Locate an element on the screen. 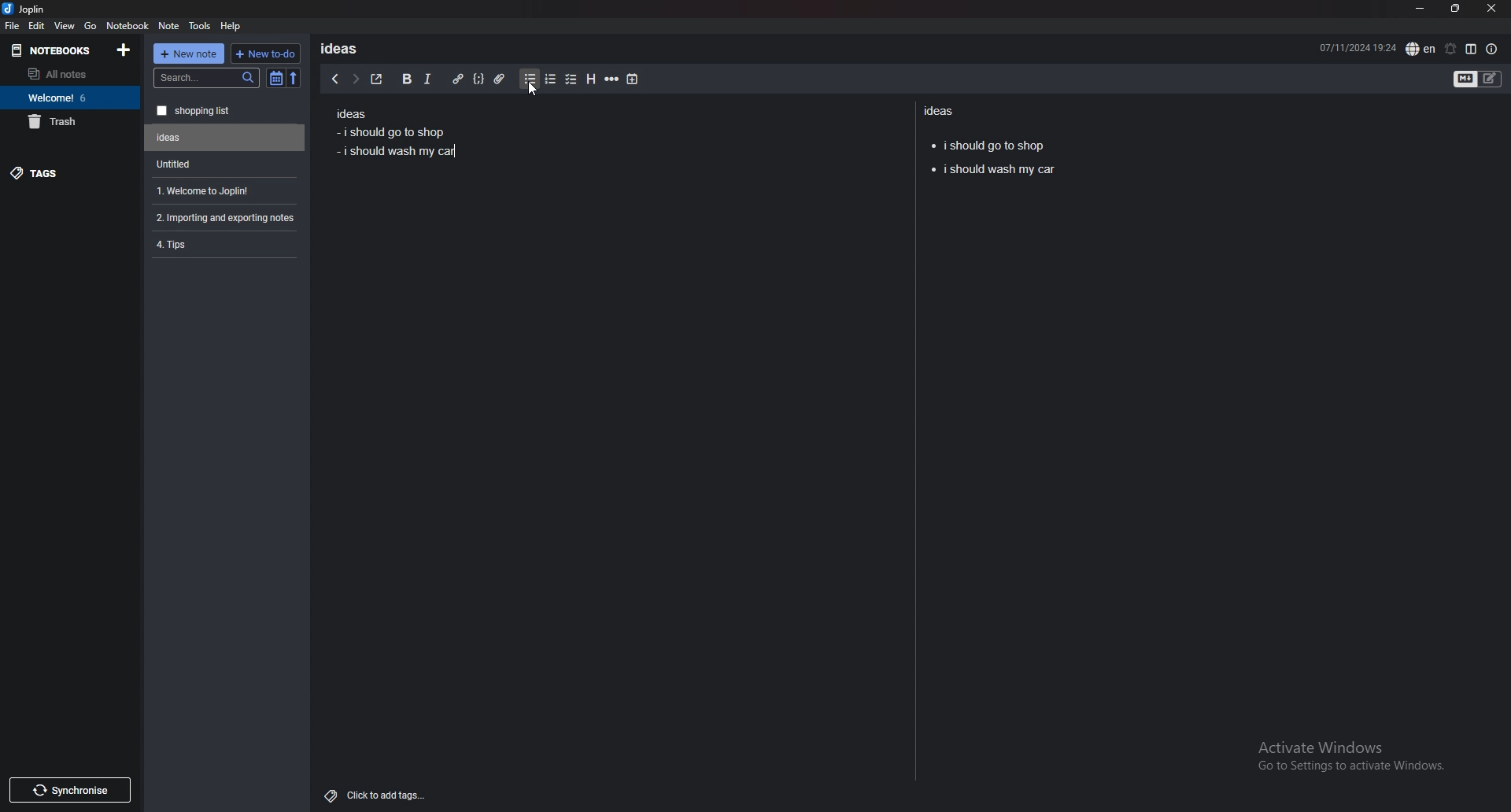 The image size is (1511, 812). edit is located at coordinates (36, 26).